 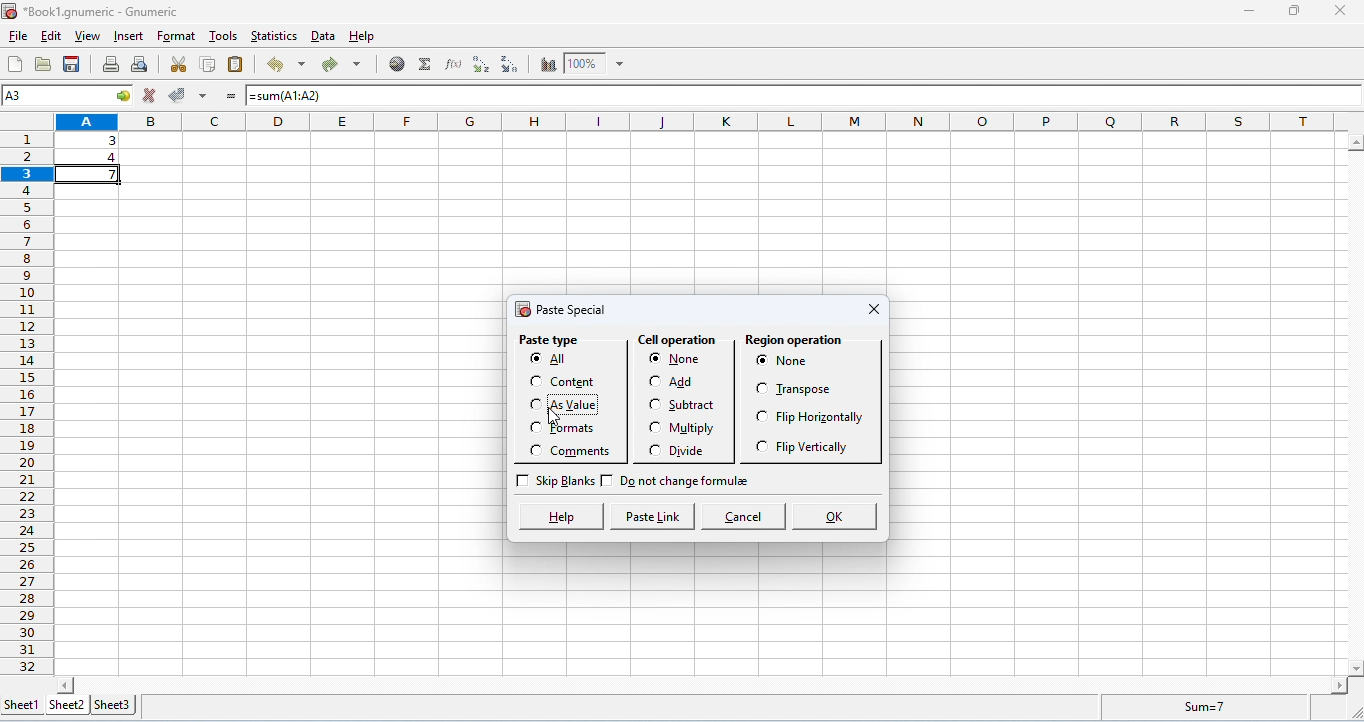 What do you see at coordinates (72, 64) in the screenshot?
I see `save` at bounding box center [72, 64].